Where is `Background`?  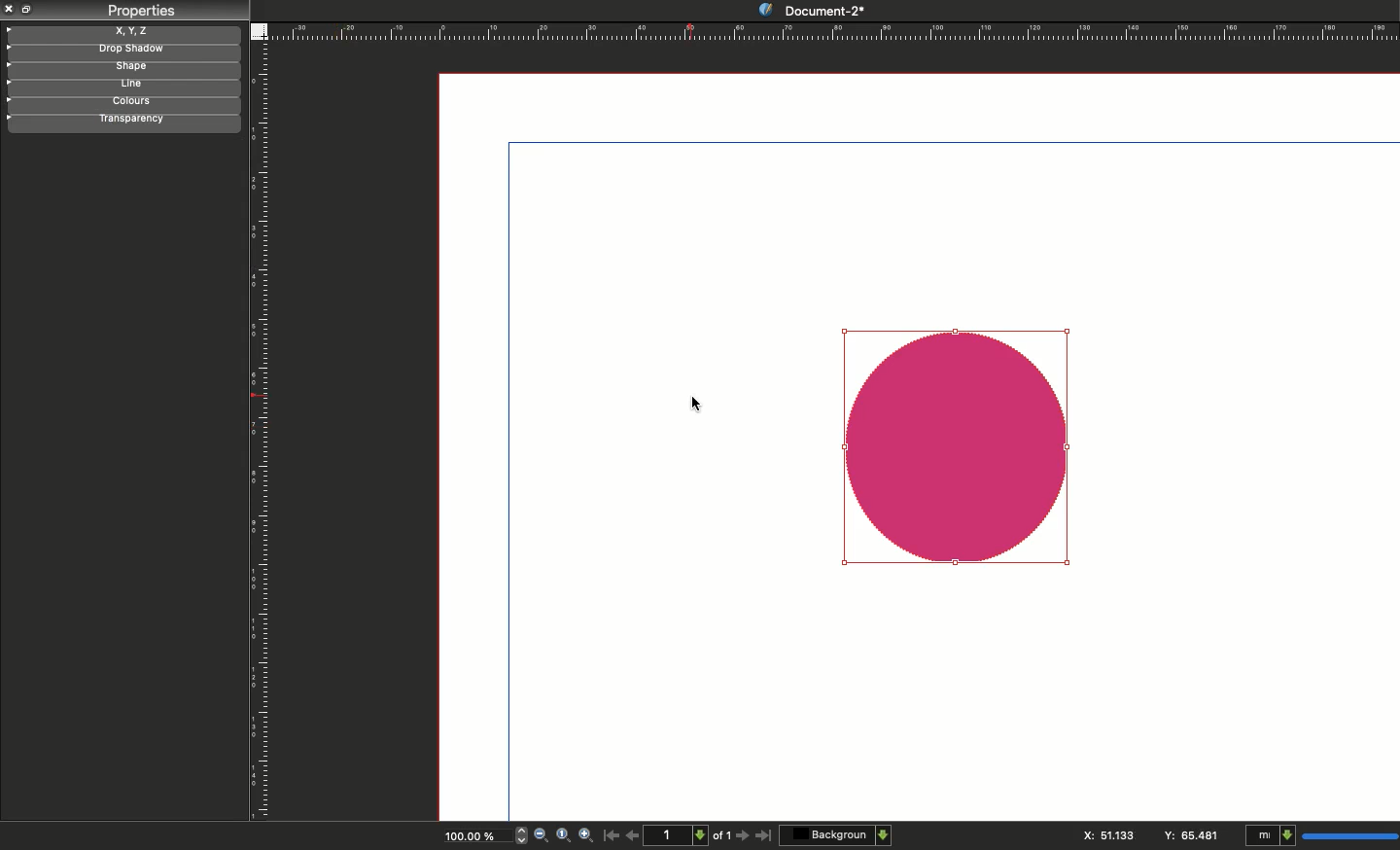
Background is located at coordinates (837, 834).